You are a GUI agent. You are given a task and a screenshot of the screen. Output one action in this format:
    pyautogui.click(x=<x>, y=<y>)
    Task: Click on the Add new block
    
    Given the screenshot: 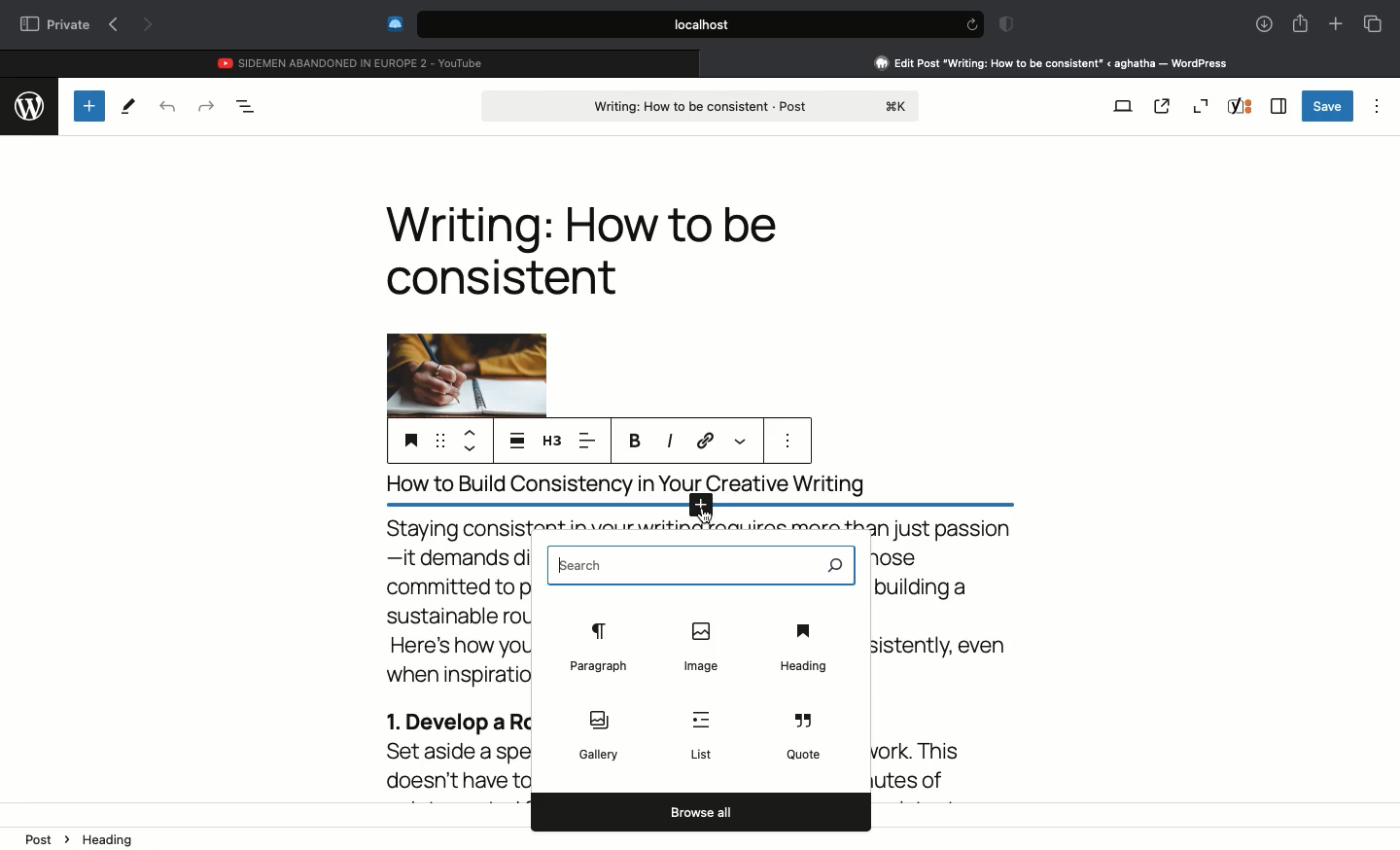 What is the action you would take?
    pyautogui.click(x=87, y=105)
    